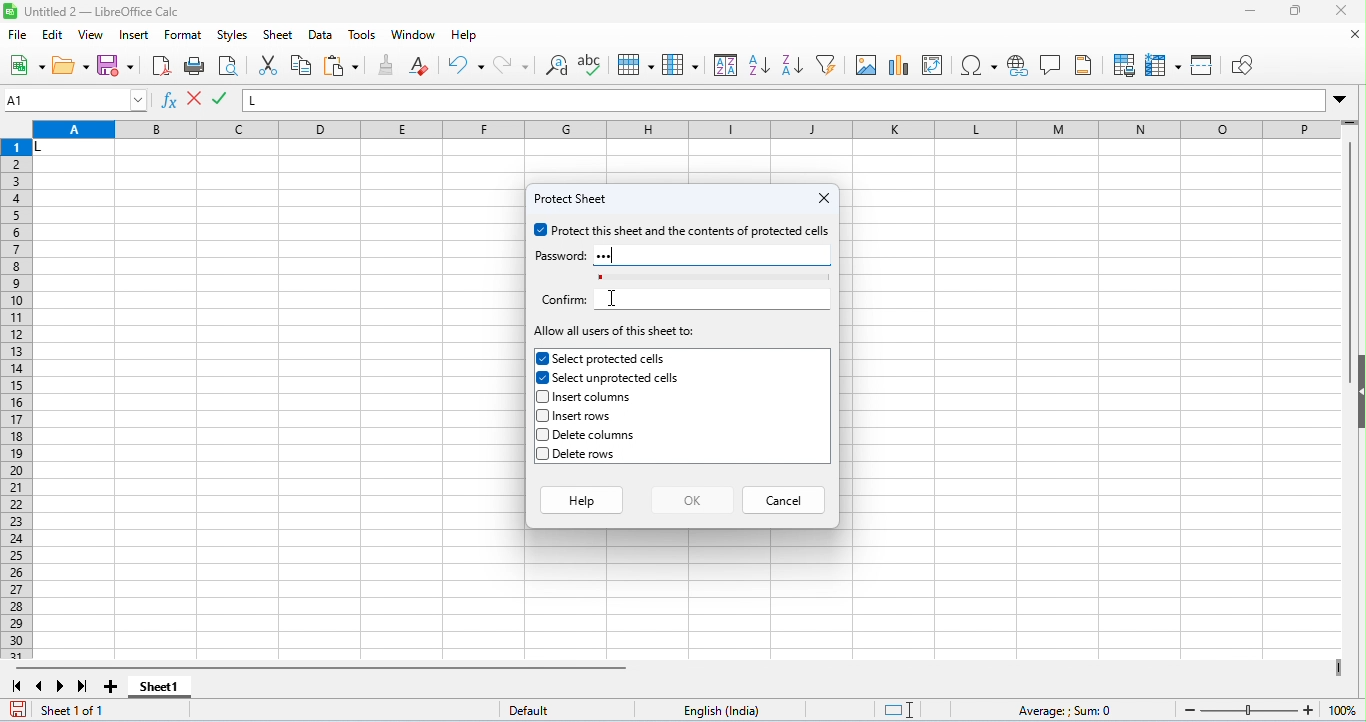  What do you see at coordinates (602, 358) in the screenshot?
I see `select protected cells` at bounding box center [602, 358].